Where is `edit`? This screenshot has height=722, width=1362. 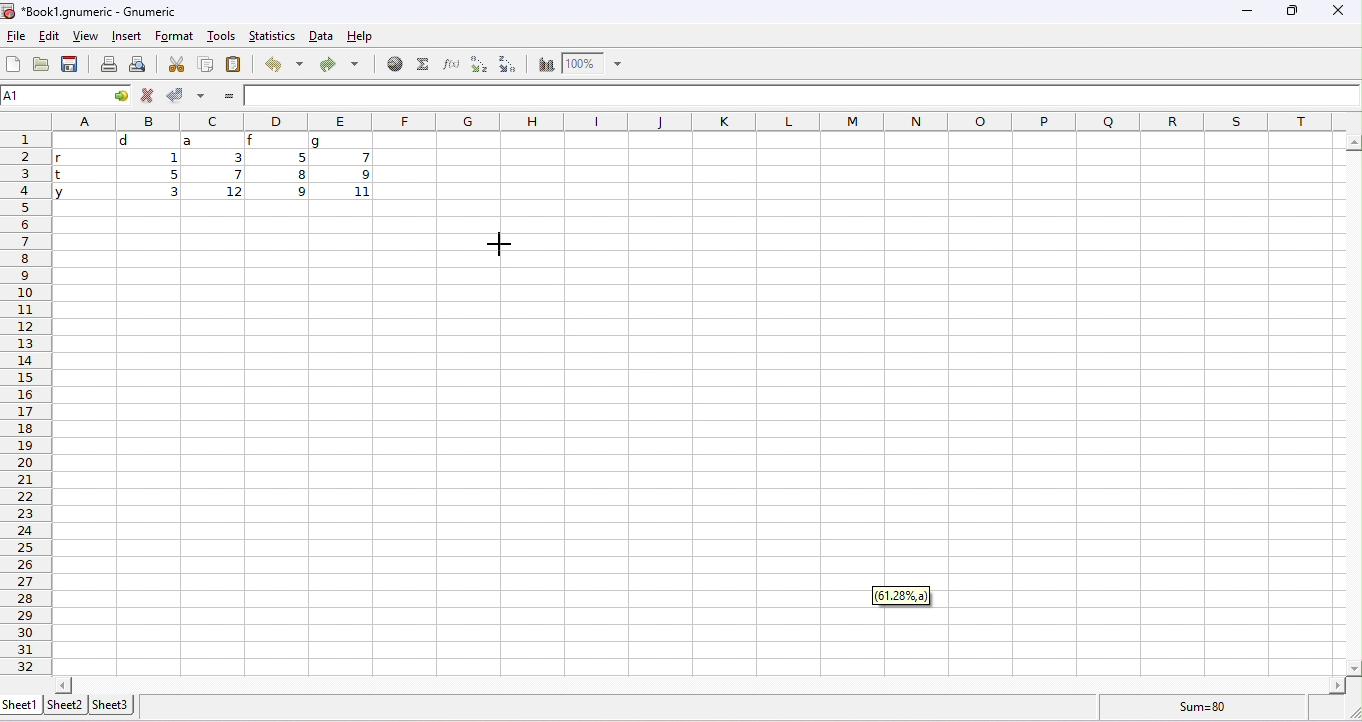
edit is located at coordinates (51, 37).